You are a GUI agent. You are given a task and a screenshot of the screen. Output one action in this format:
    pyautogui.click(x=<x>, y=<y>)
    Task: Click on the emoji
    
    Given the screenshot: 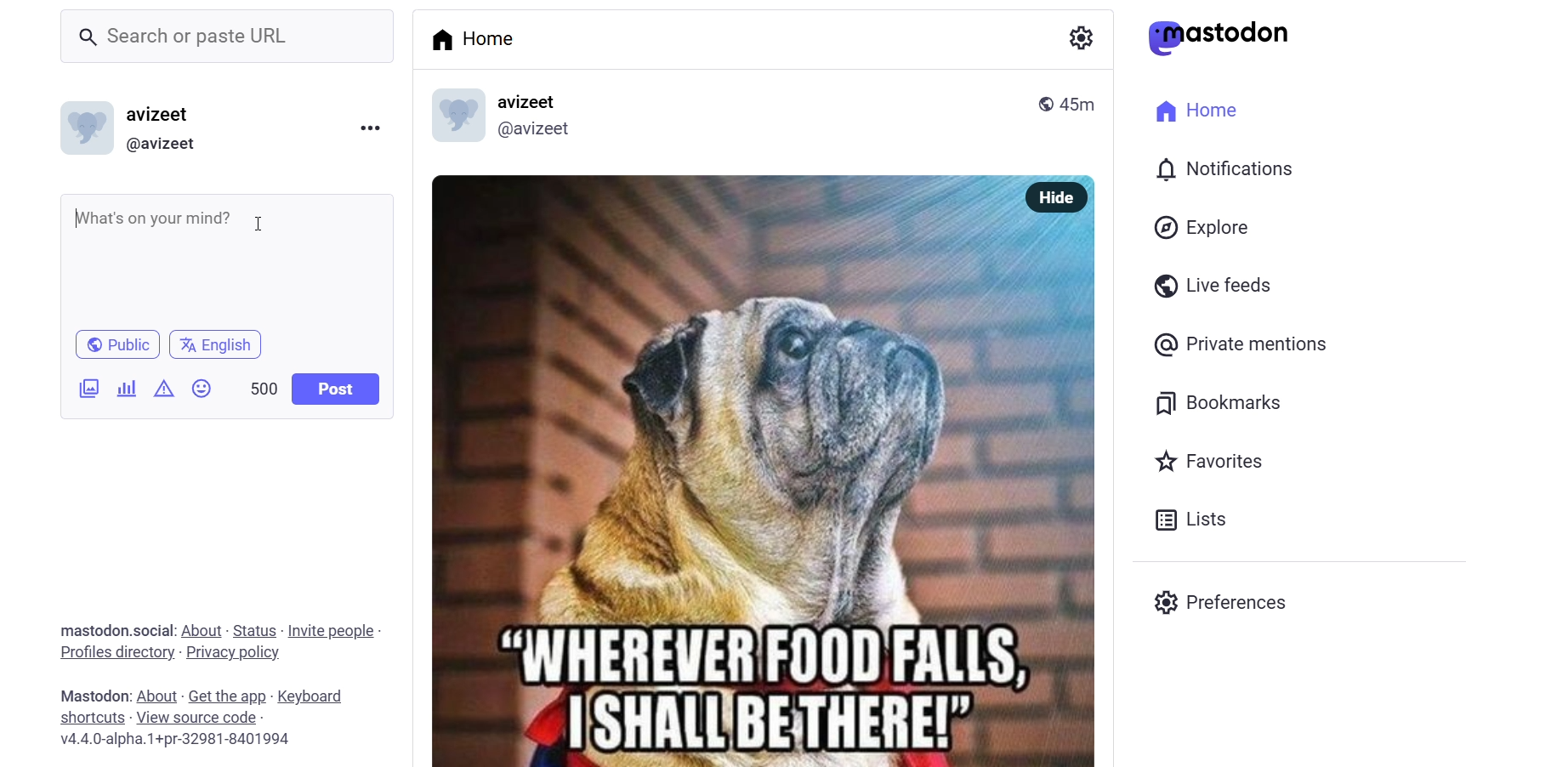 What is the action you would take?
    pyautogui.click(x=201, y=389)
    